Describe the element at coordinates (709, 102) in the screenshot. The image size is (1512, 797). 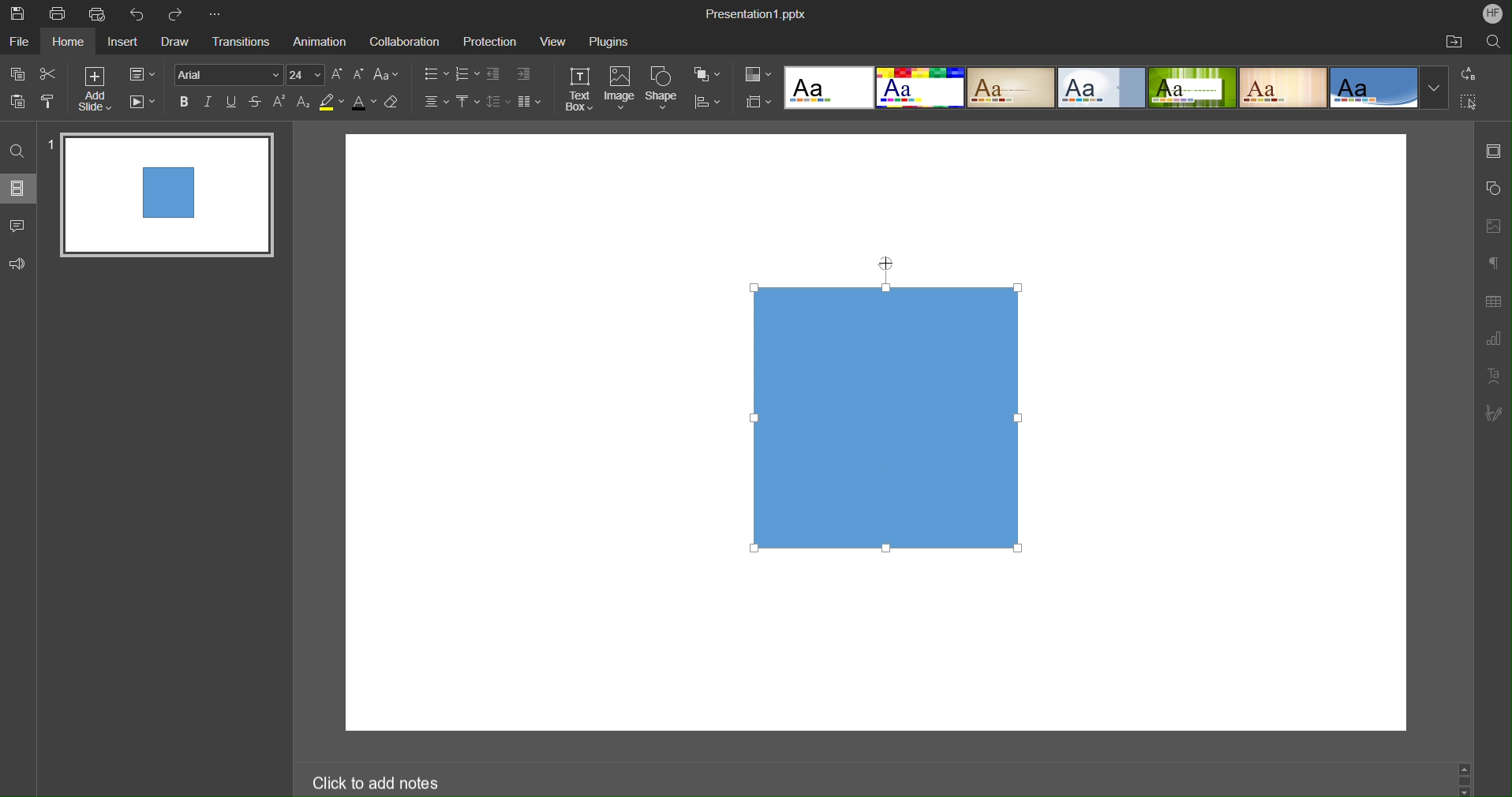
I see `Align` at that location.